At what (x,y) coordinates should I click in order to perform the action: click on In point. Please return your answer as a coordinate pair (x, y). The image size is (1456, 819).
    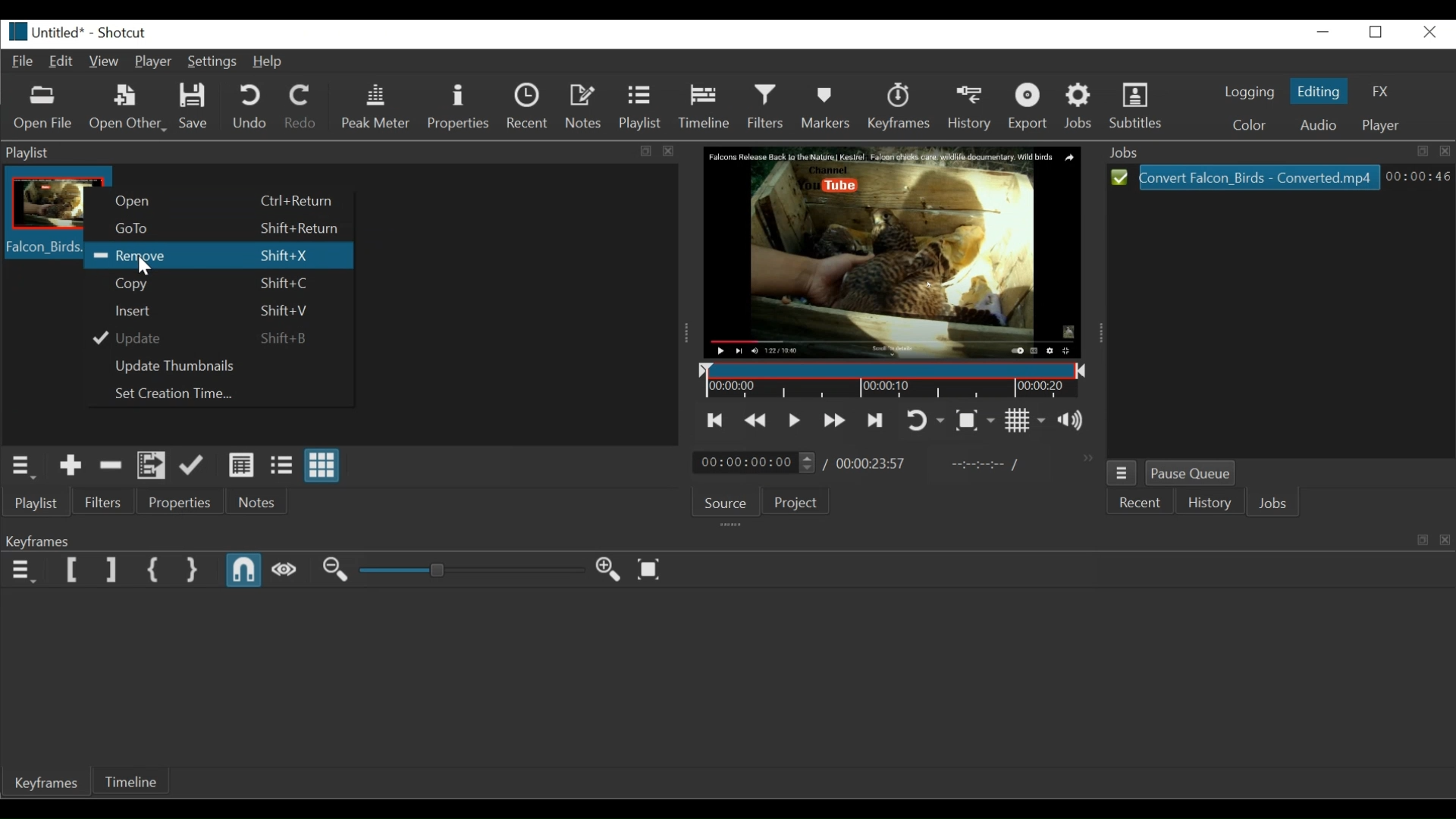
    Looking at the image, I should click on (982, 466).